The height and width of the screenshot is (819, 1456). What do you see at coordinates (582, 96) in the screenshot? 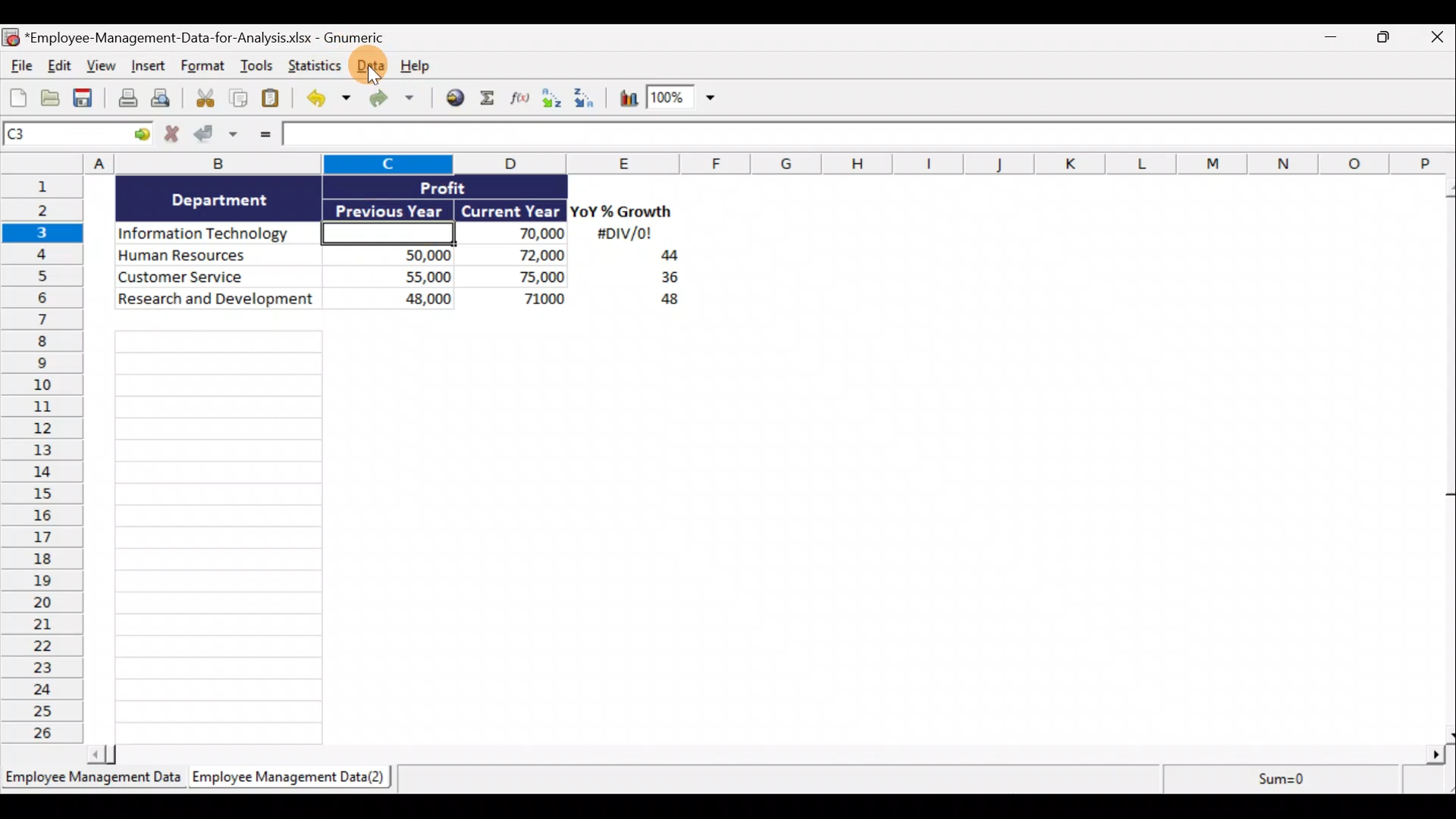
I see `Sort descending` at bounding box center [582, 96].